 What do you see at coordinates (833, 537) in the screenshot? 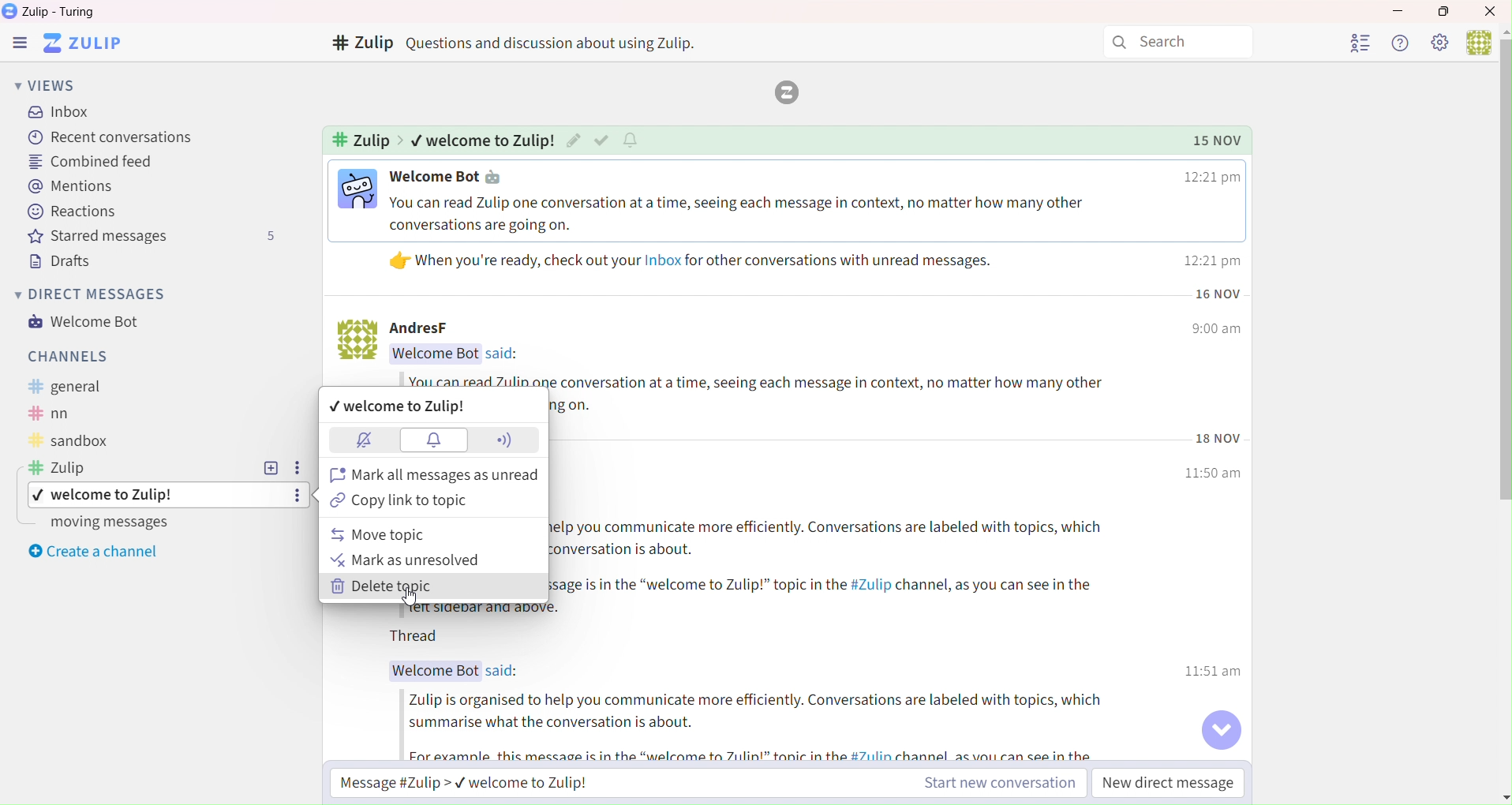
I see `Text` at bounding box center [833, 537].